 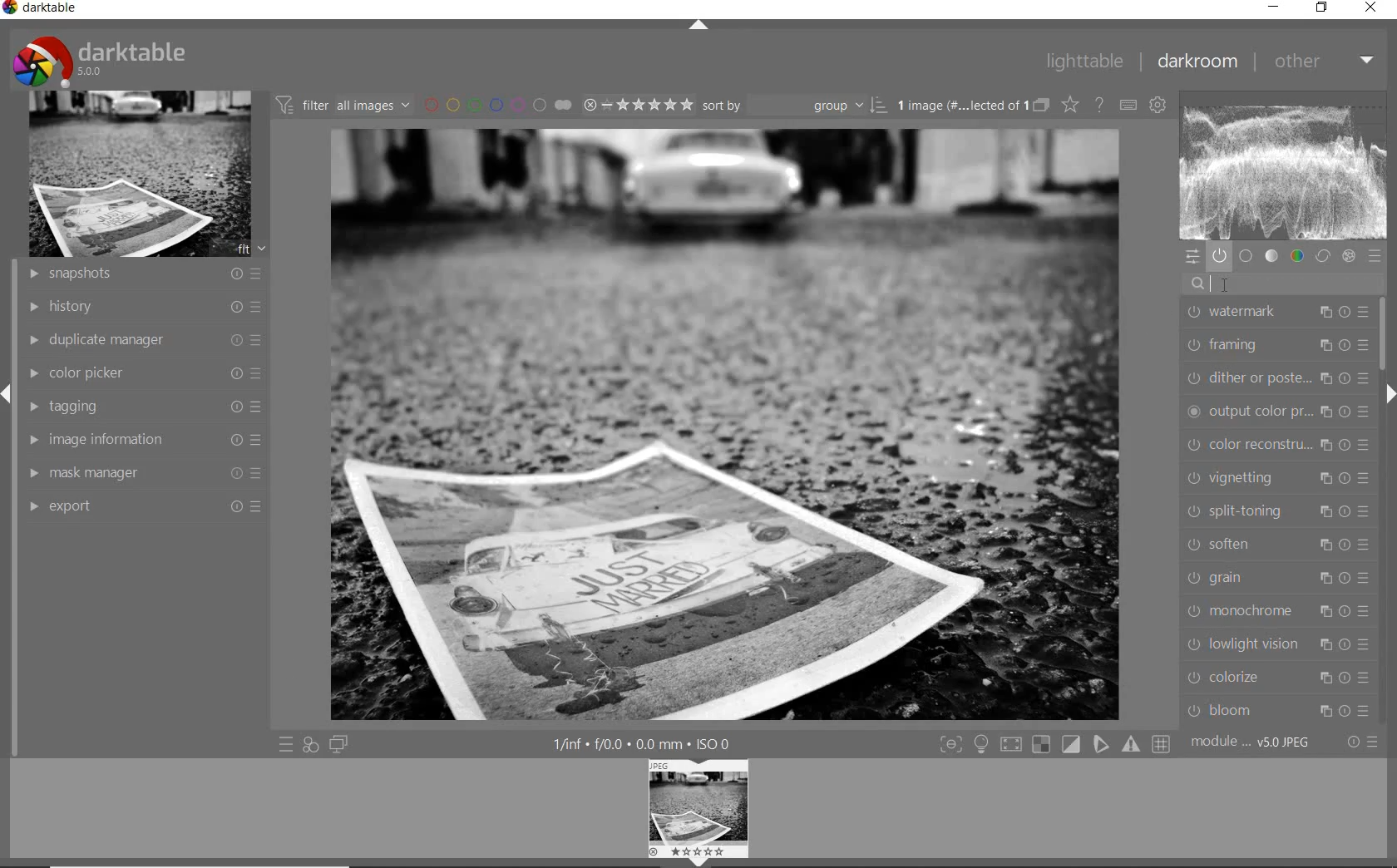 What do you see at coordinates (1386, 333) in the screenshot?
I see `scollbar` at bounding box center [1386, 333].